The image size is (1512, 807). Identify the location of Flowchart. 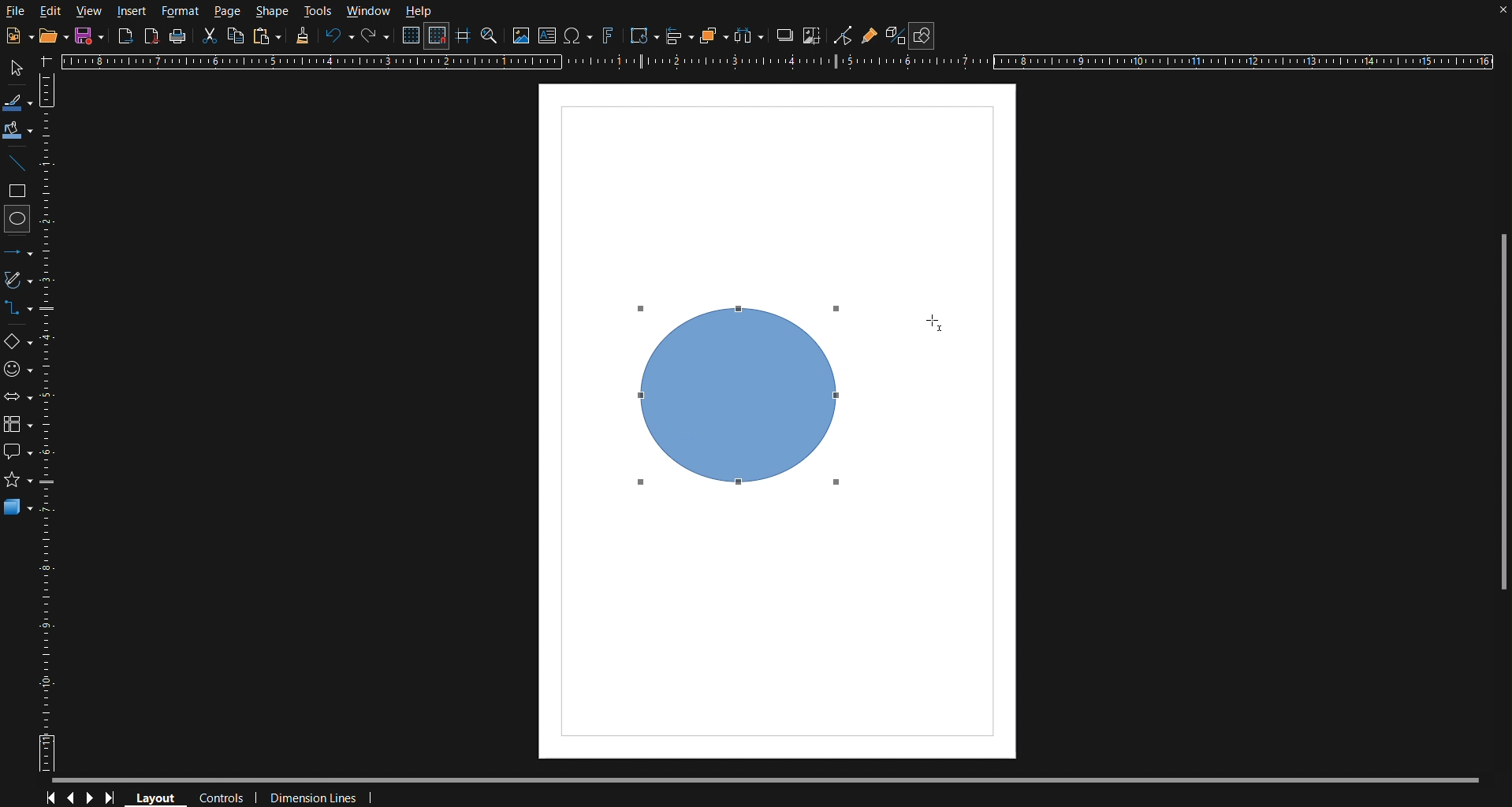
(18, 426).